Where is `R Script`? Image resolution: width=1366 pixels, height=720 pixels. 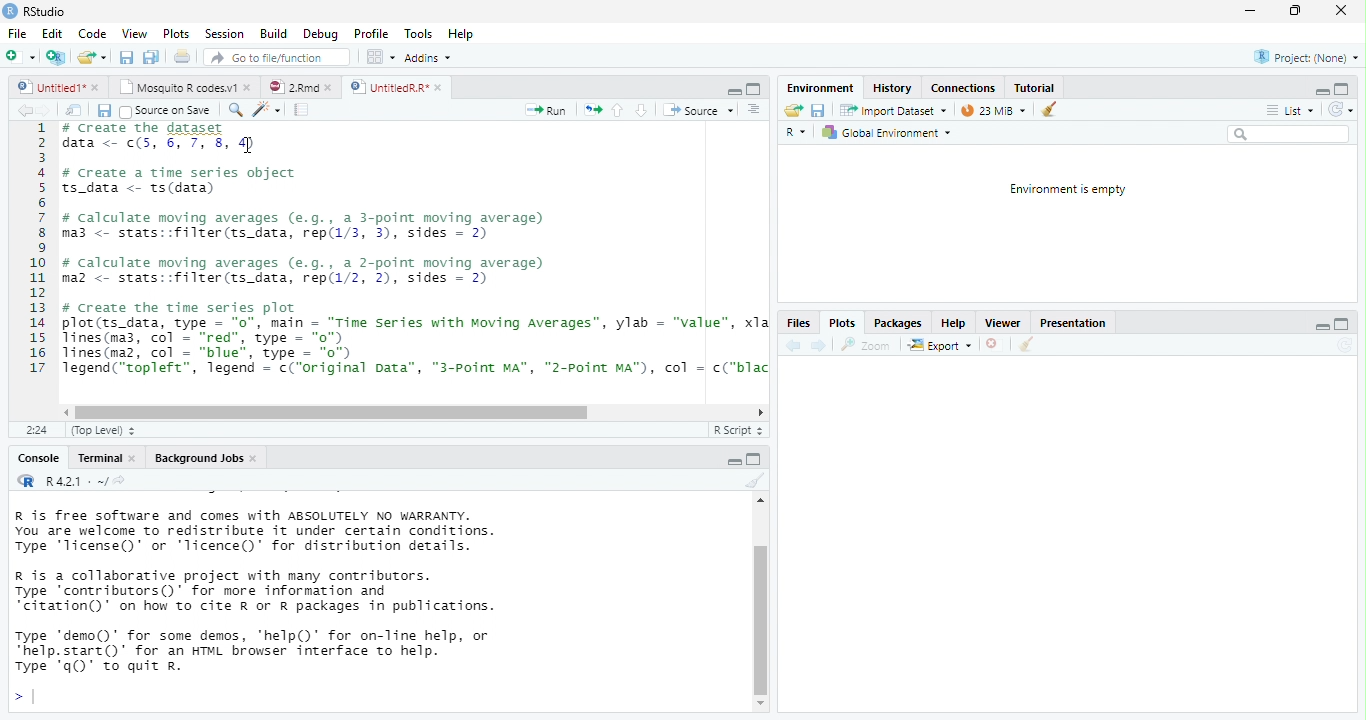
R Script is located at coordinates (736, 430).